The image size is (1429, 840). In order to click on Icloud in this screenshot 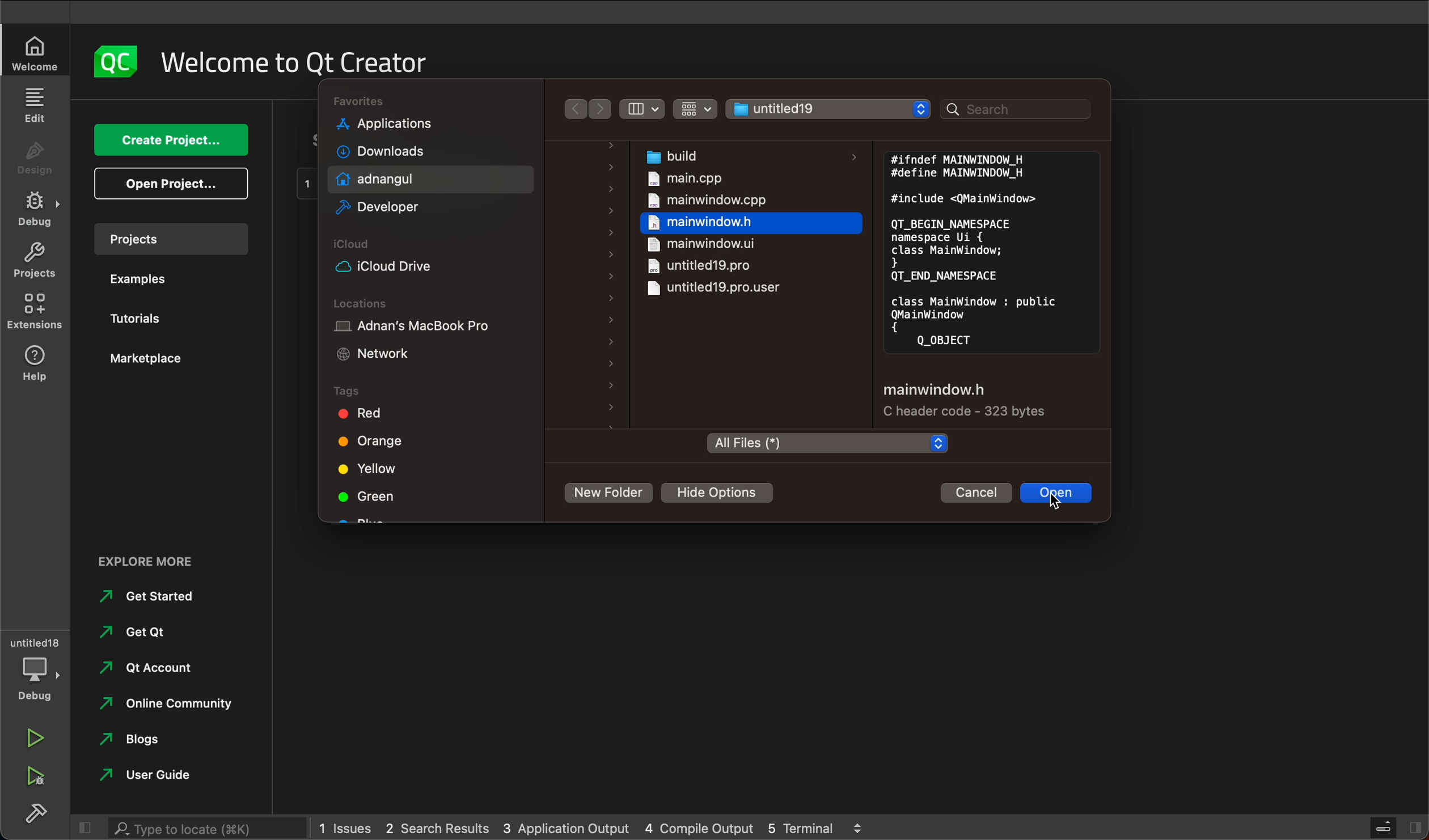, I will do `click(425, 245)`.